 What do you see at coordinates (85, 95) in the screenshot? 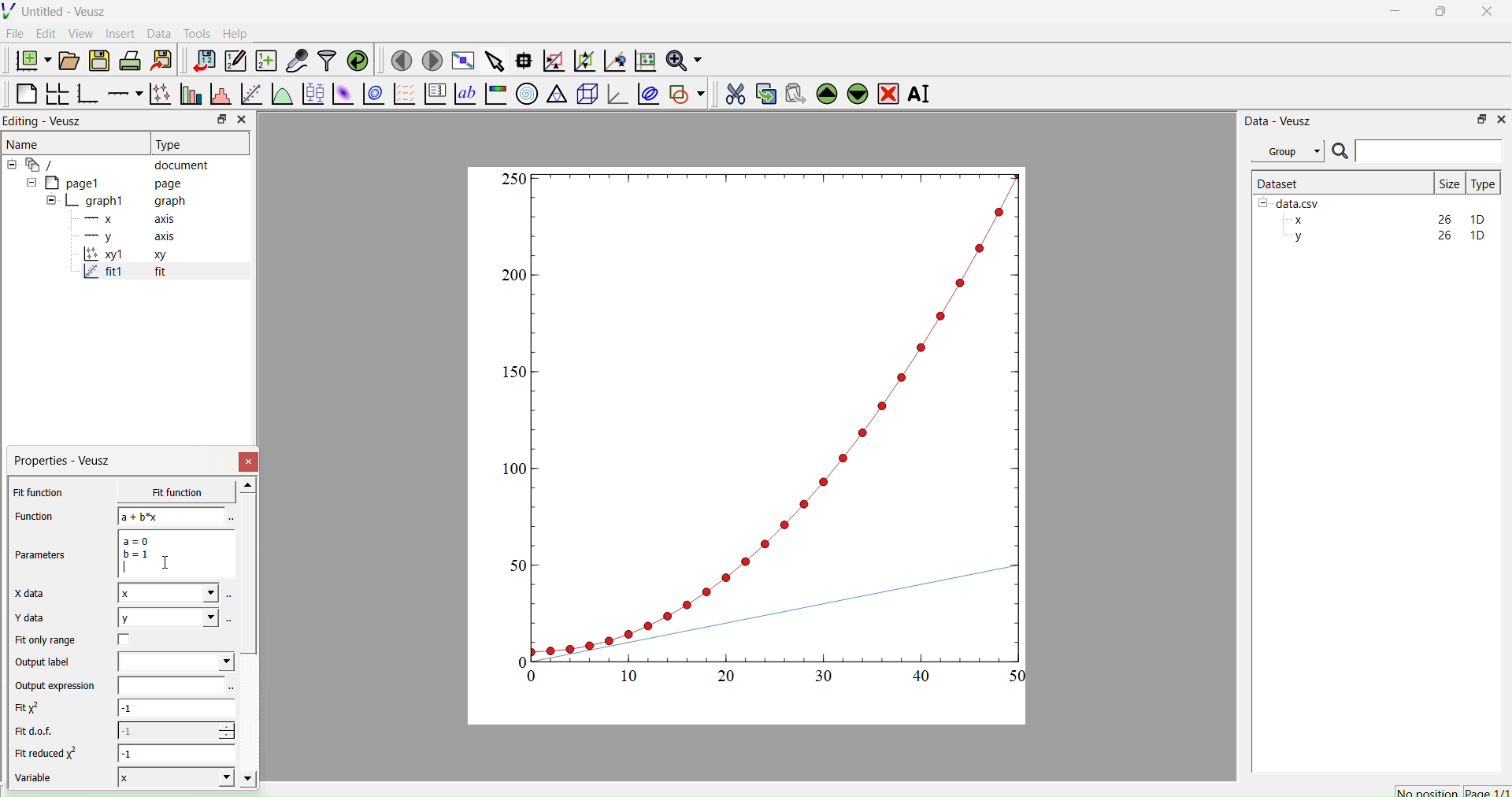
I see `Base Graph` at bounding box center [85, 95].